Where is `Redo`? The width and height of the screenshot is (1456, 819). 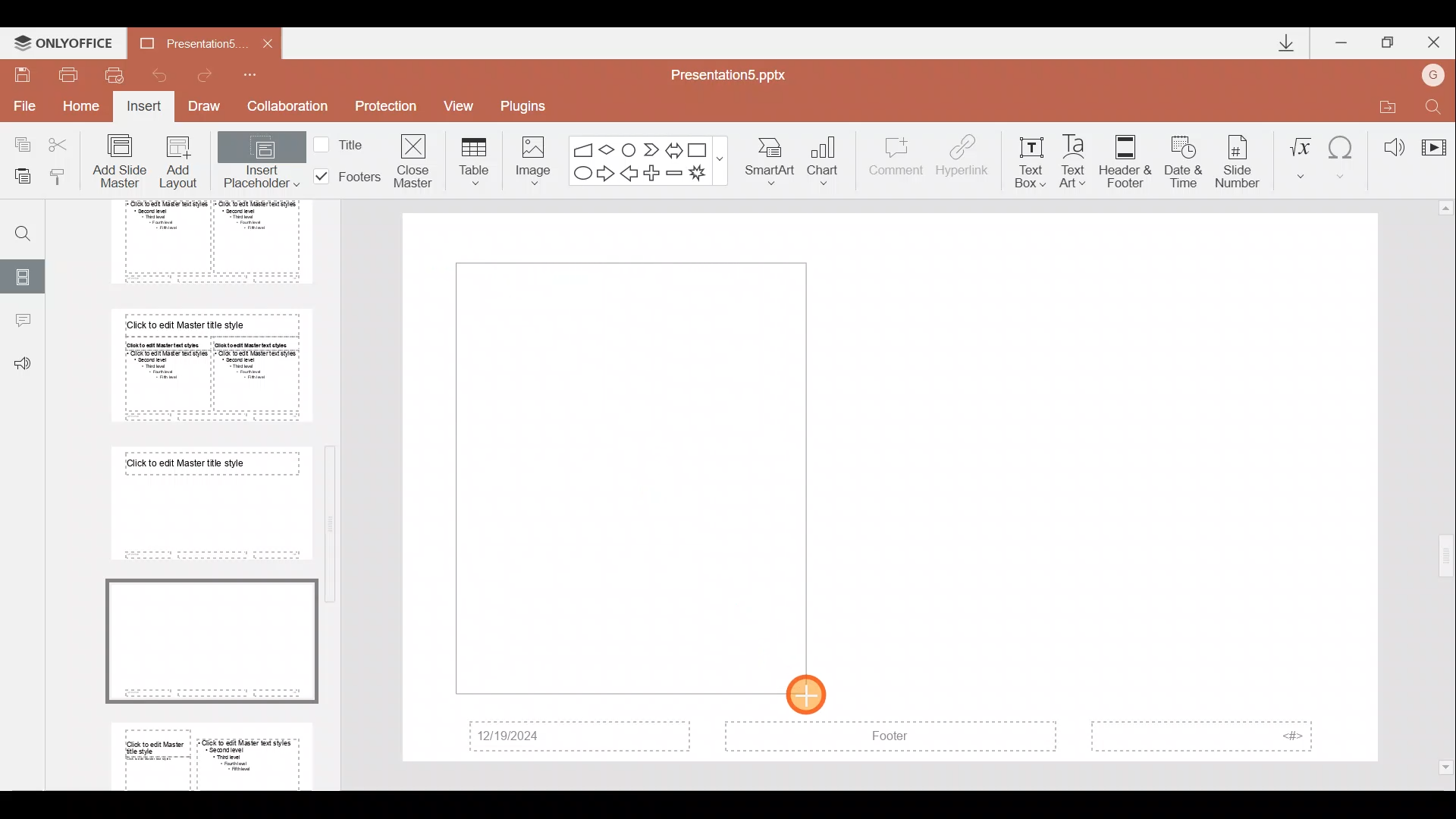 Redo is located at coordinates (211, 75).